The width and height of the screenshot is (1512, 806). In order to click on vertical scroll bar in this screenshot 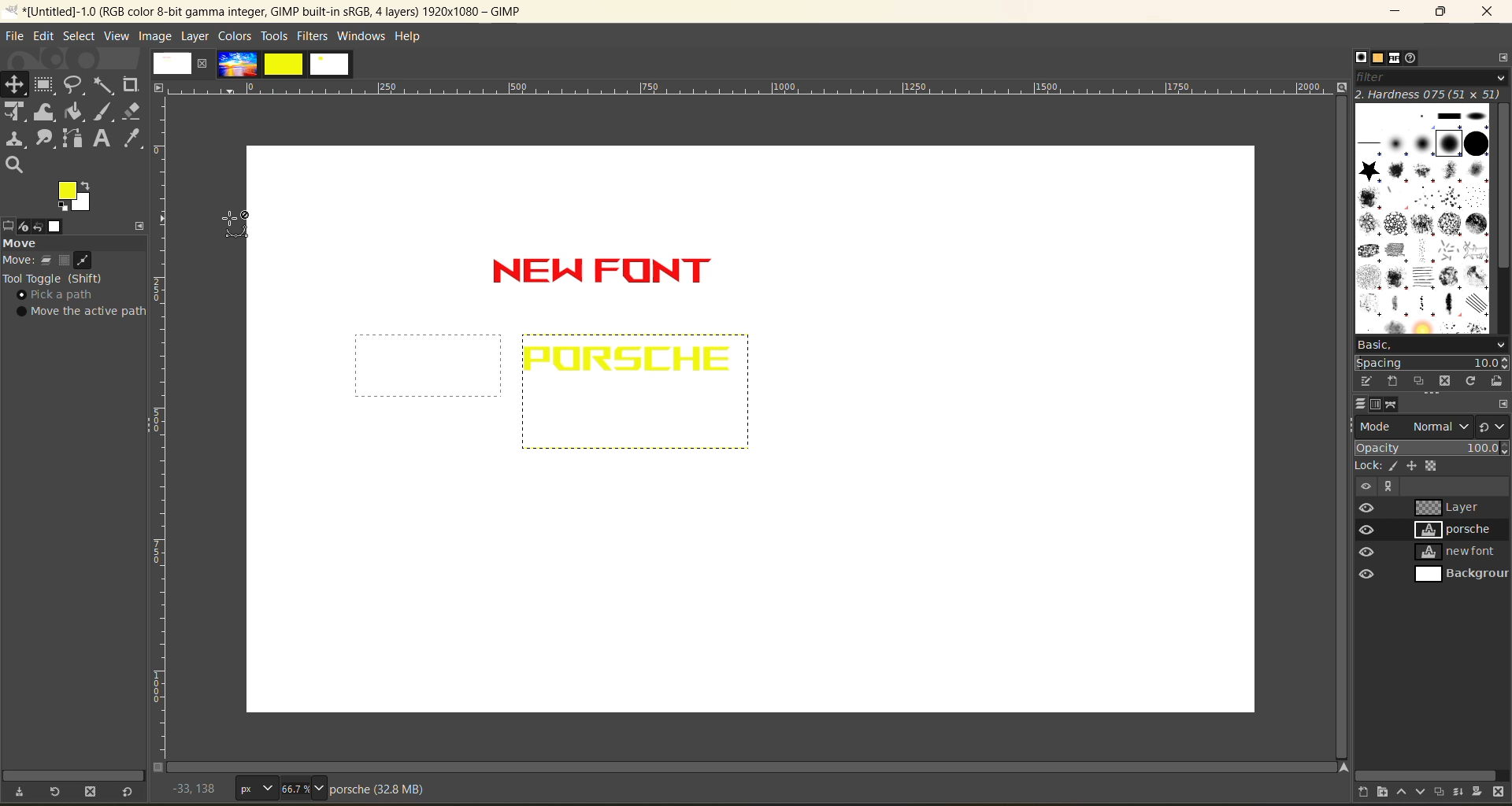, I will do `click(76, 767)`.